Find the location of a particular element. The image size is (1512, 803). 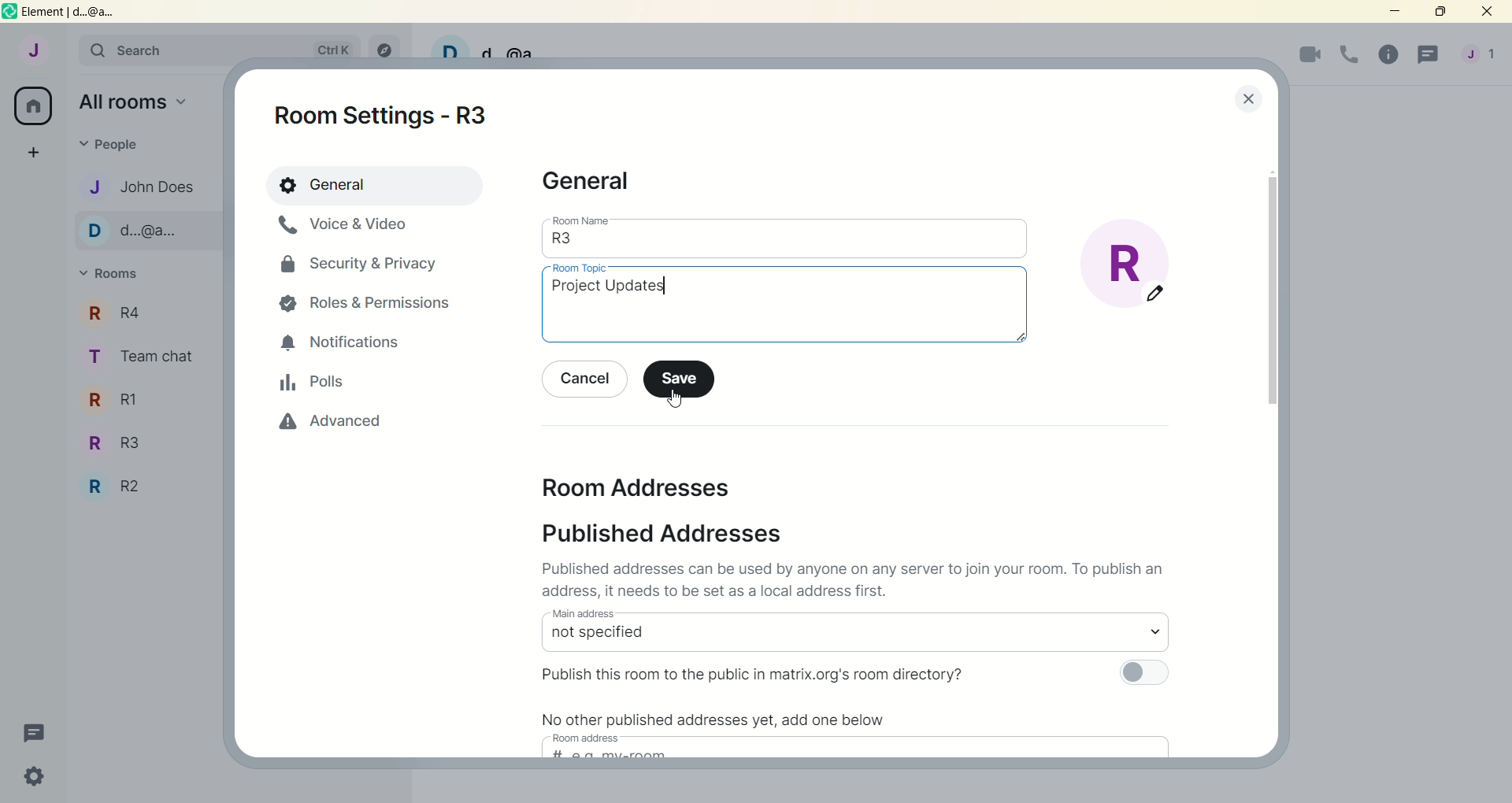

toggle button is located at coordinates (1149, 675).